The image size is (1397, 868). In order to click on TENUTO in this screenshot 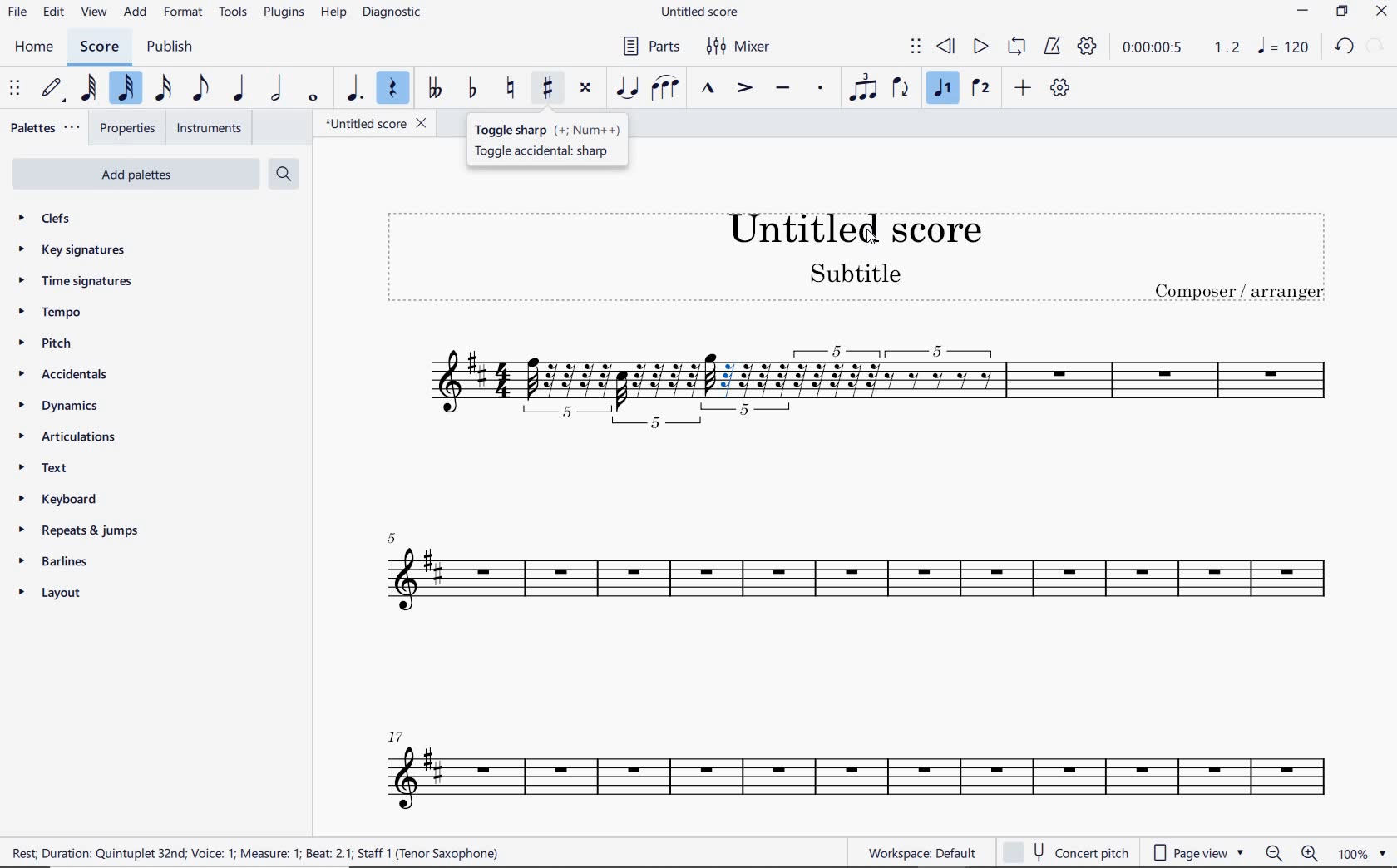, I will do `click(783, 89)`.